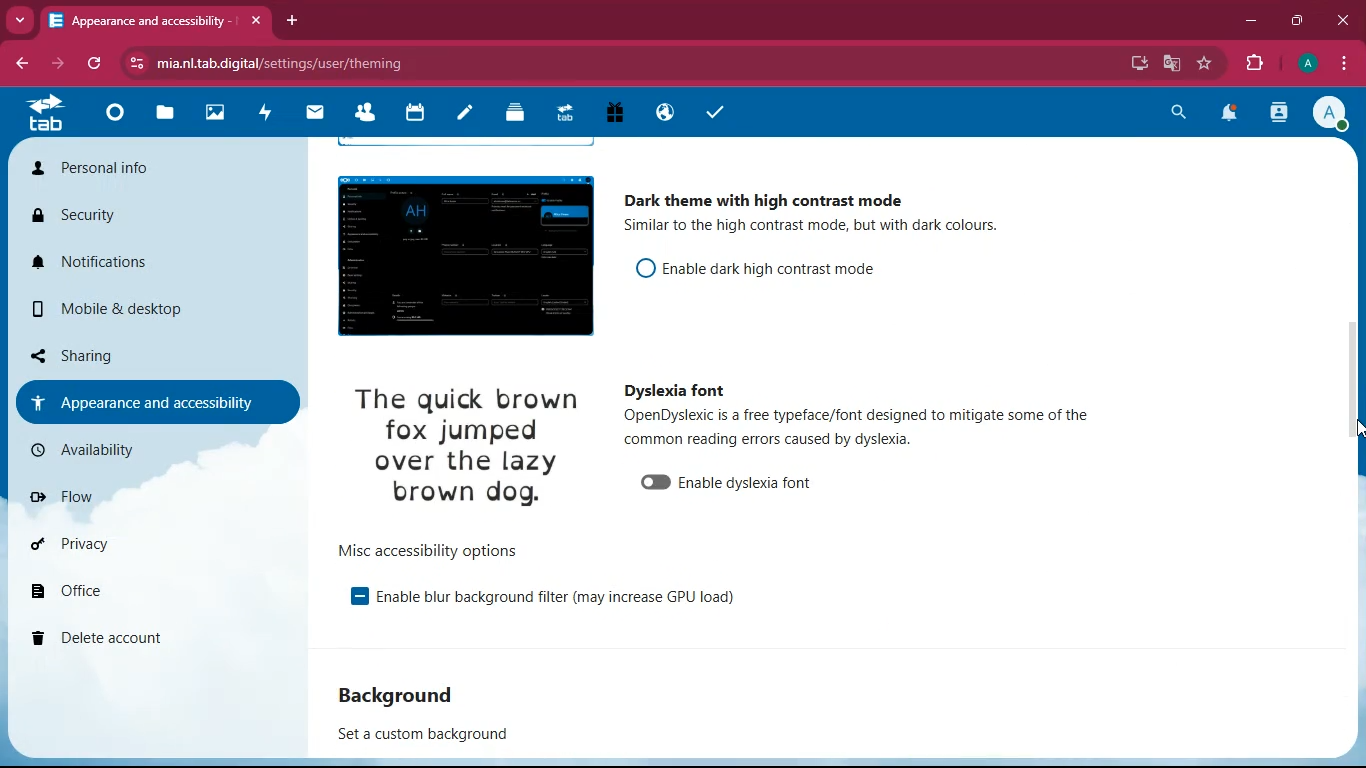 This screenshot has height=768, width=1366. Describe the element at coordinates (220, 113) in the screenshot. I see `images` at that location.